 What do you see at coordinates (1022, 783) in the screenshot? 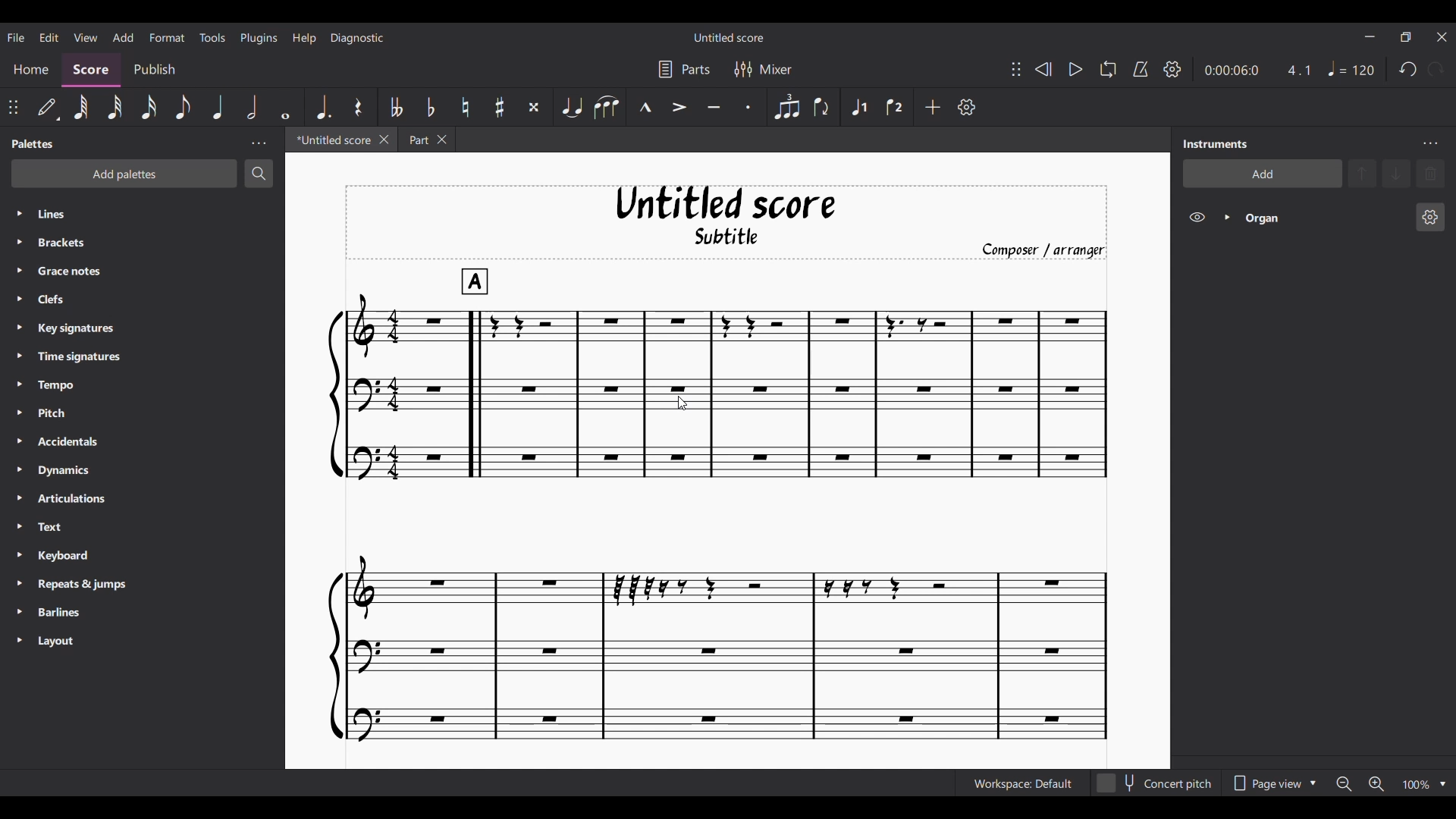
I see `Current Workspace setting` at bounding box center [1022, 783].